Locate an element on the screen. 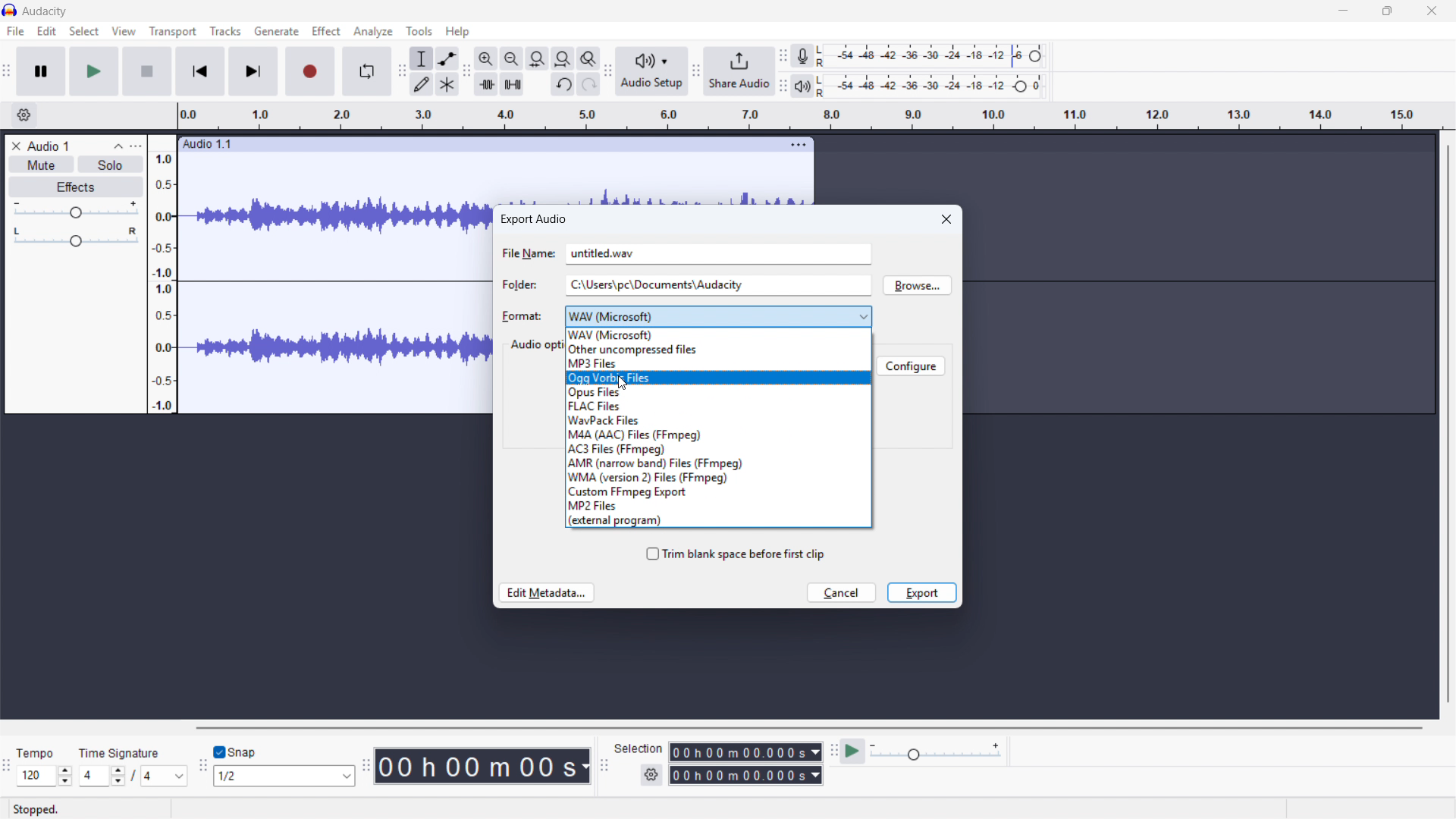 This screenshot has height=819, width=1456. Selection start time  is located at coordinates (745, 752).